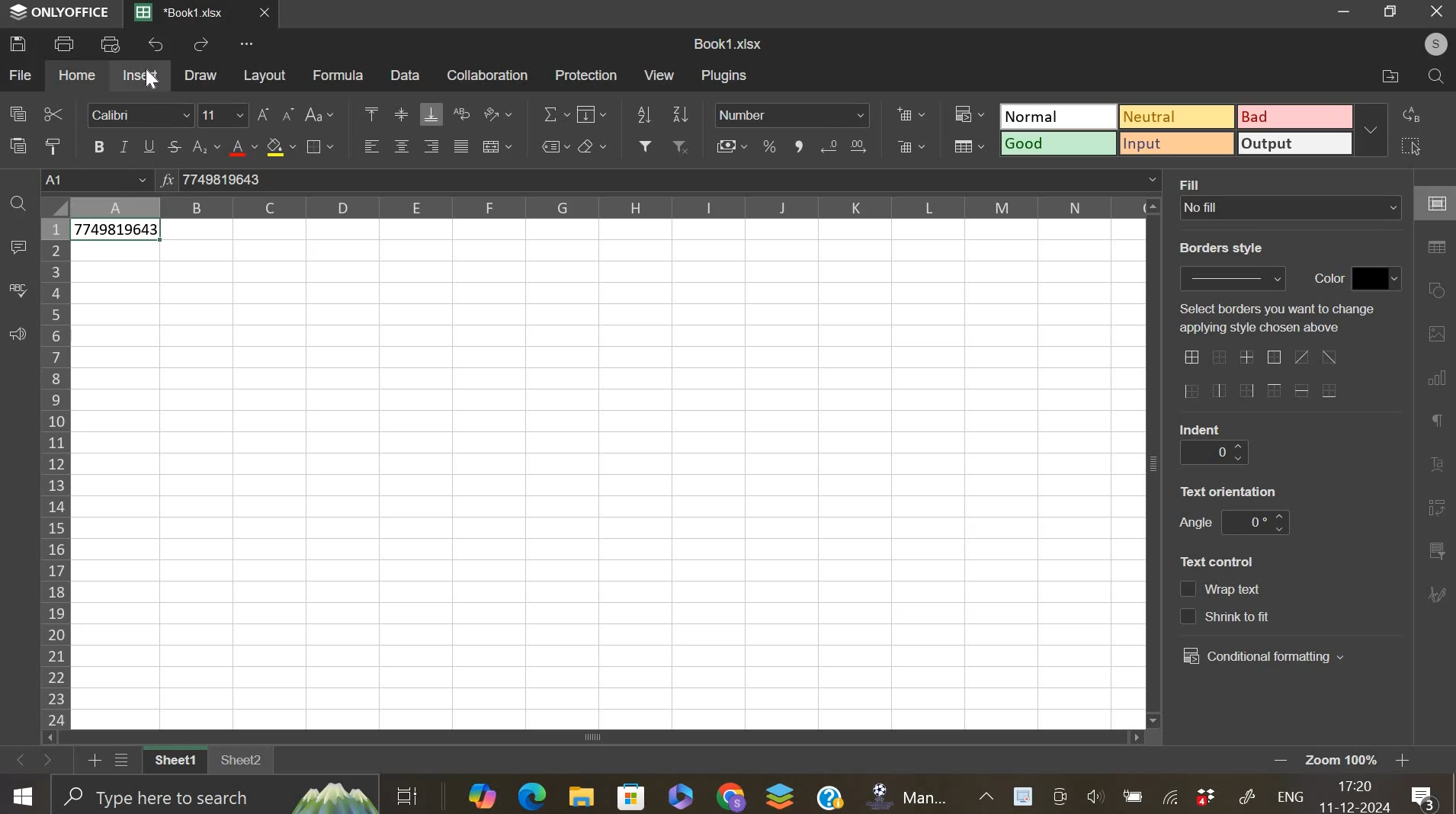 The width and height of the screenshot is (1456, 814). Describe the element at coordinates (1232, 278) in the screenshot. I see `border style` at that location.